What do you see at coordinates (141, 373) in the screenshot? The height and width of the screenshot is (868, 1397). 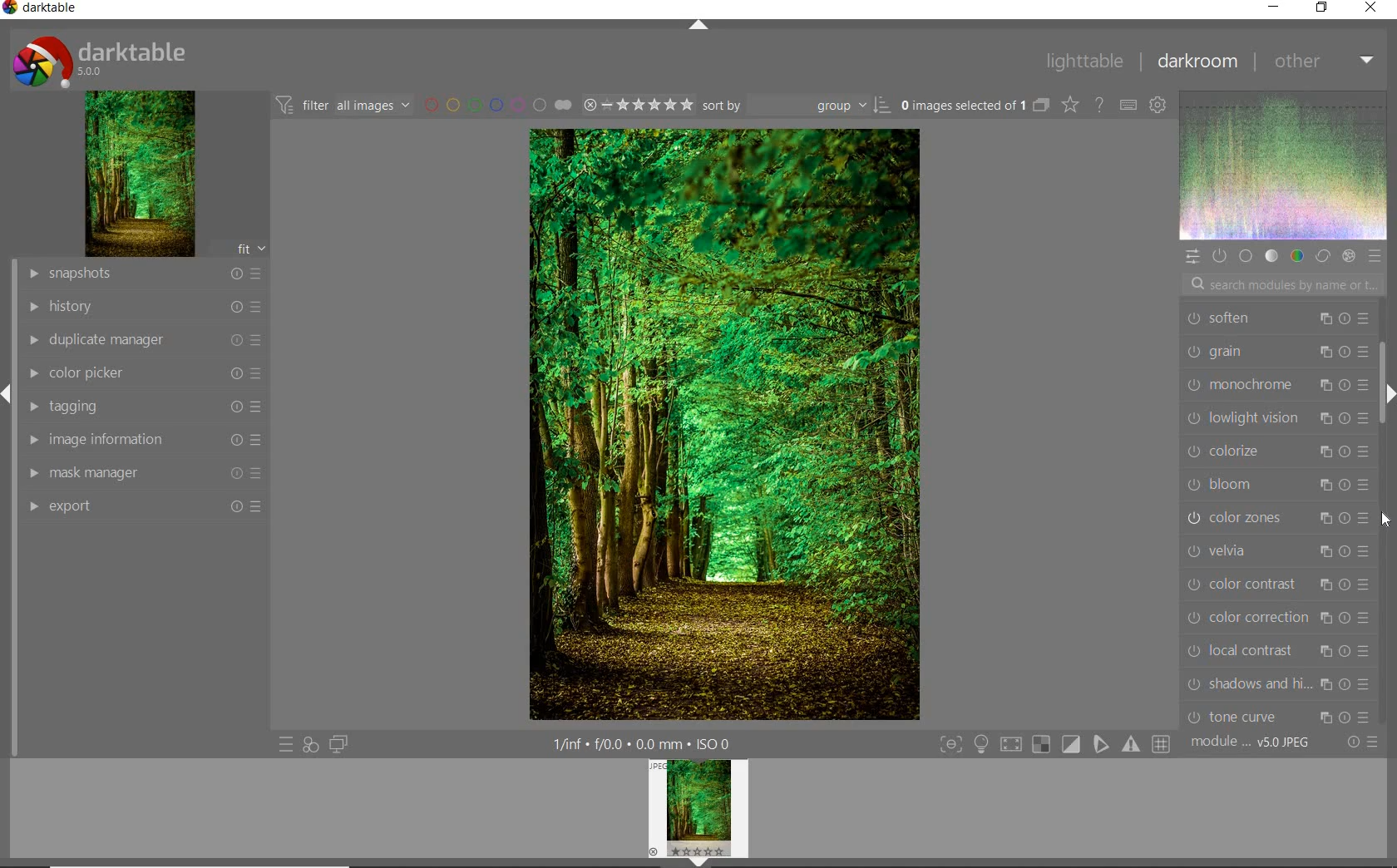 I see `COLOR PICKER` at bounding box center [141, 373].